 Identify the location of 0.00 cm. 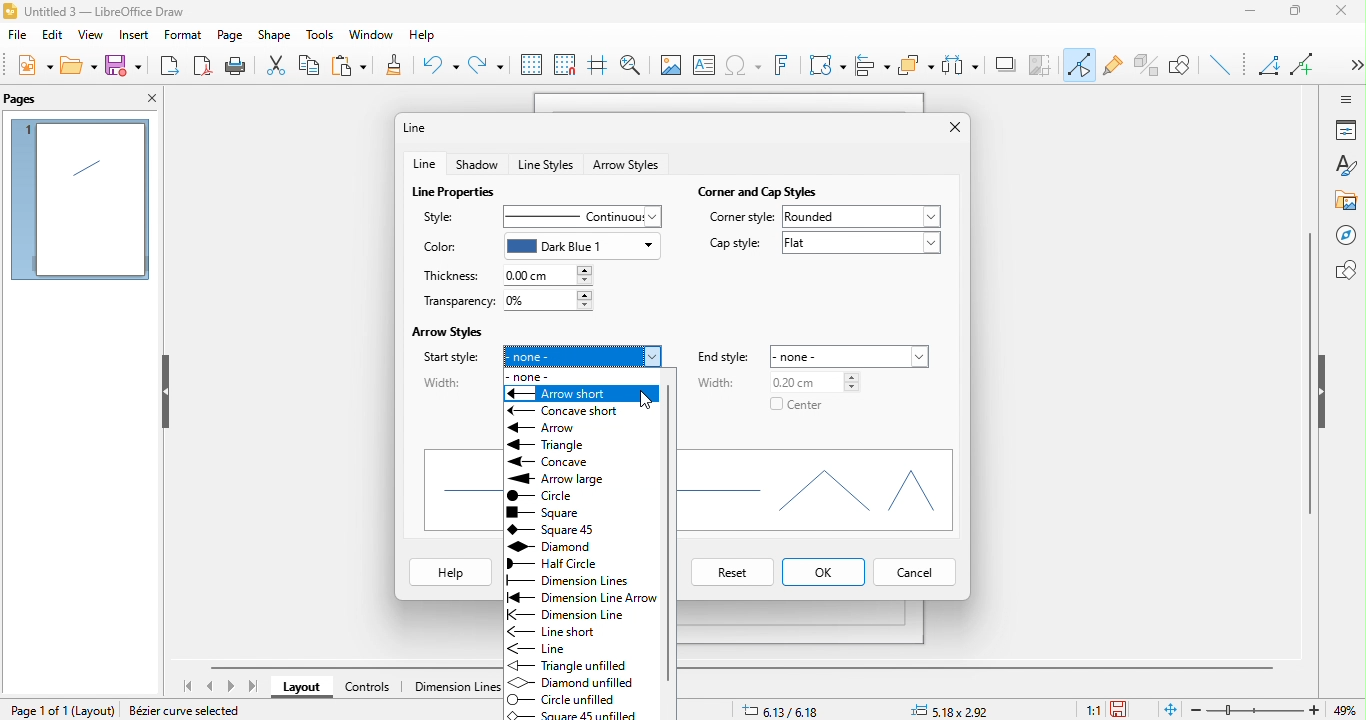
(550, 275).